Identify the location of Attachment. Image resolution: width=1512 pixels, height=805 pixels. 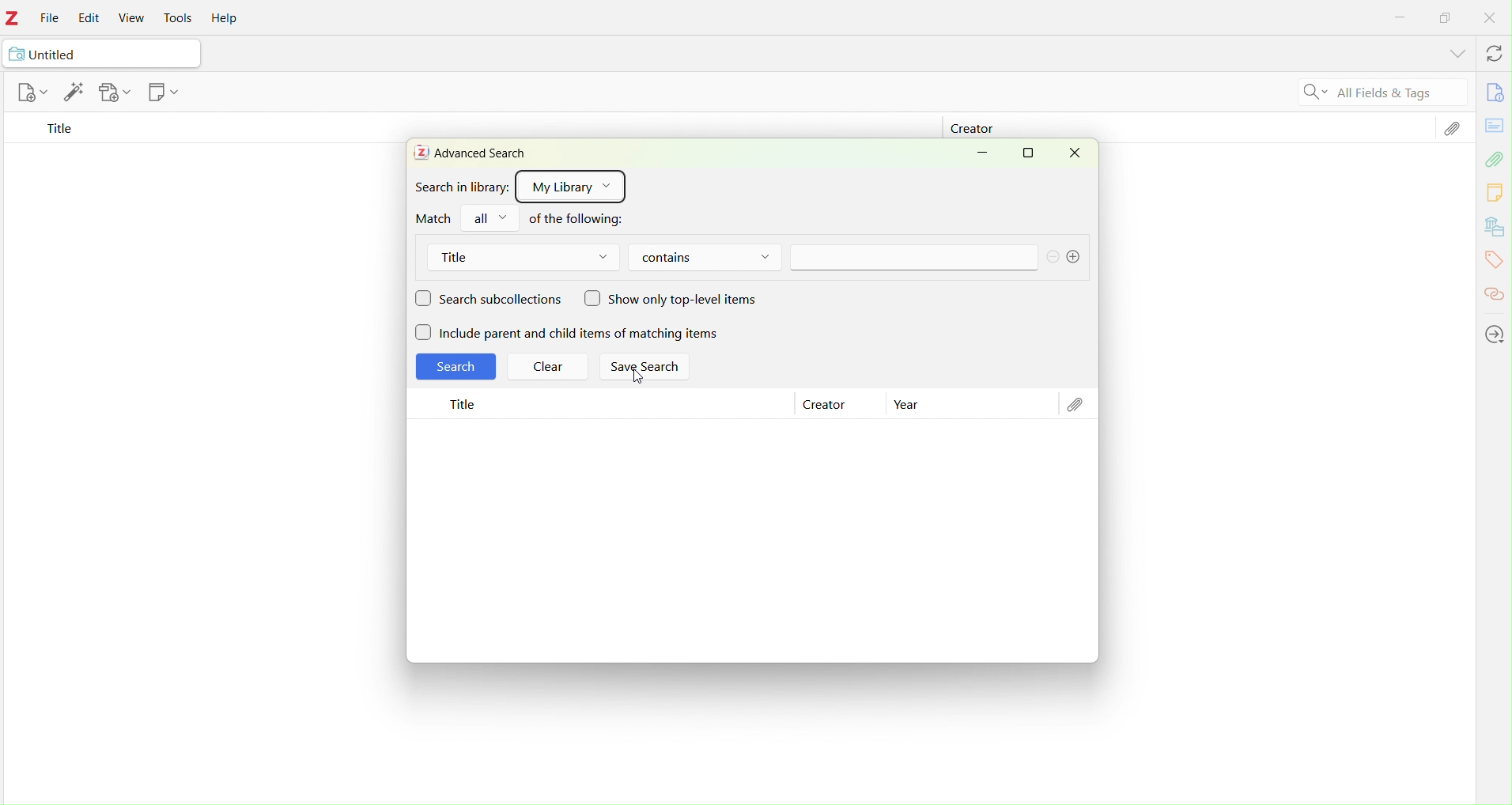
(1075, 404).